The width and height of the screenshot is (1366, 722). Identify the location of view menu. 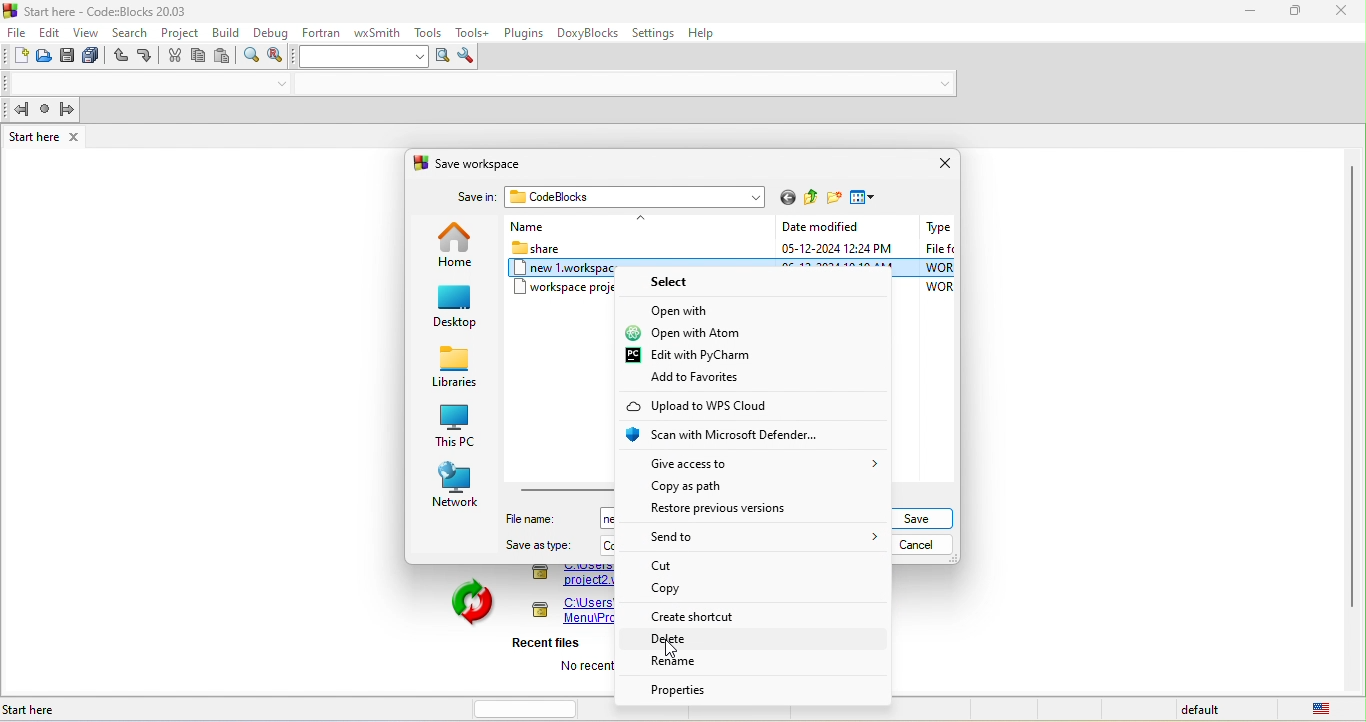
(867, 198).